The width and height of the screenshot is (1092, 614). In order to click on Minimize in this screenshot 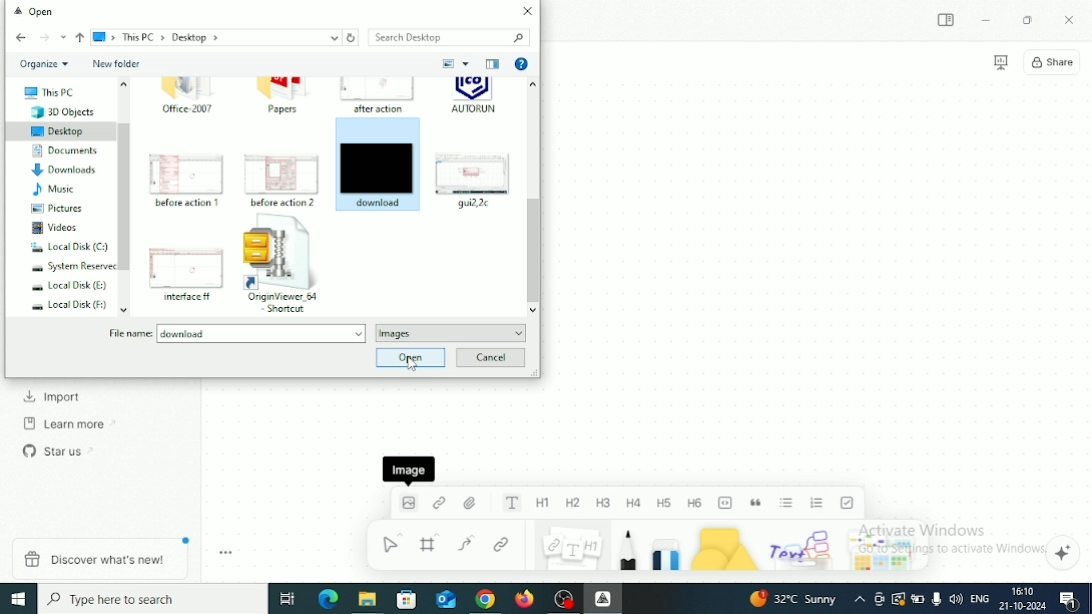, I will do `click(986, 19)`.